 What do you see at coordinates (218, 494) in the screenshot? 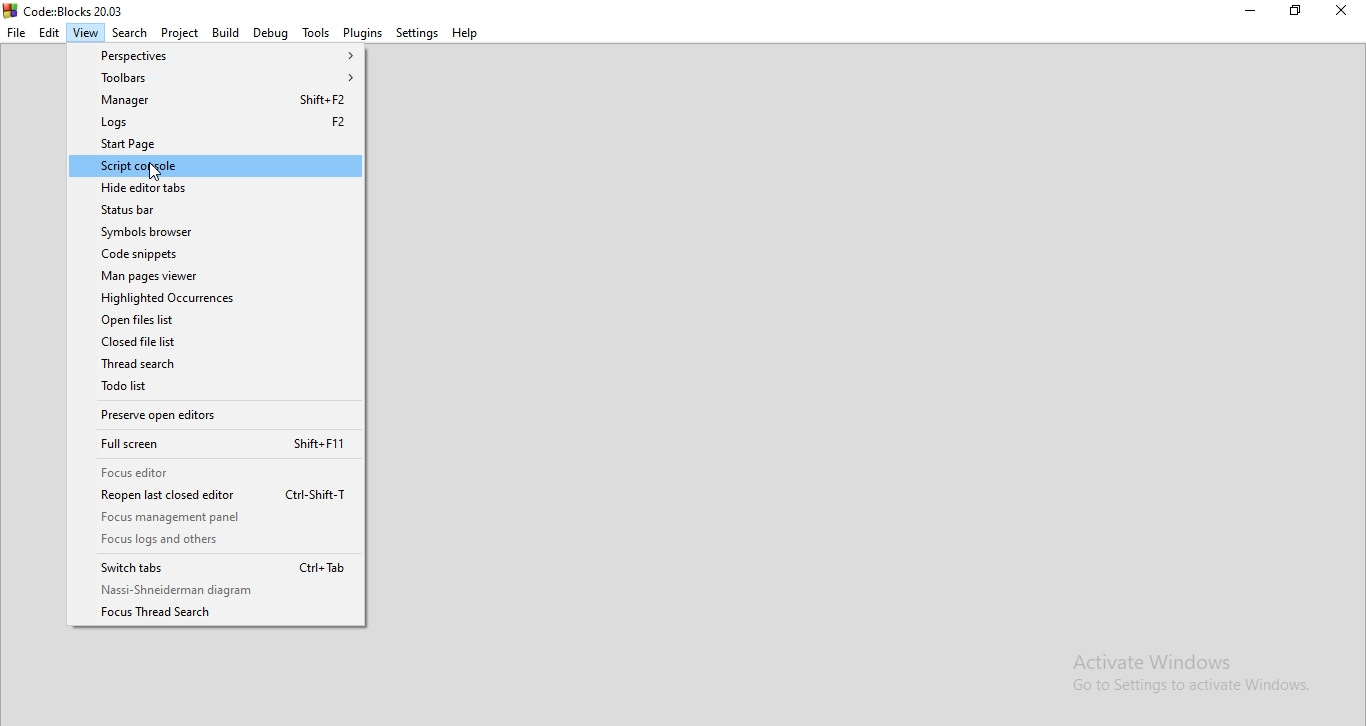
I see `Reopen last closed editor` at bounding box center [218, 494].